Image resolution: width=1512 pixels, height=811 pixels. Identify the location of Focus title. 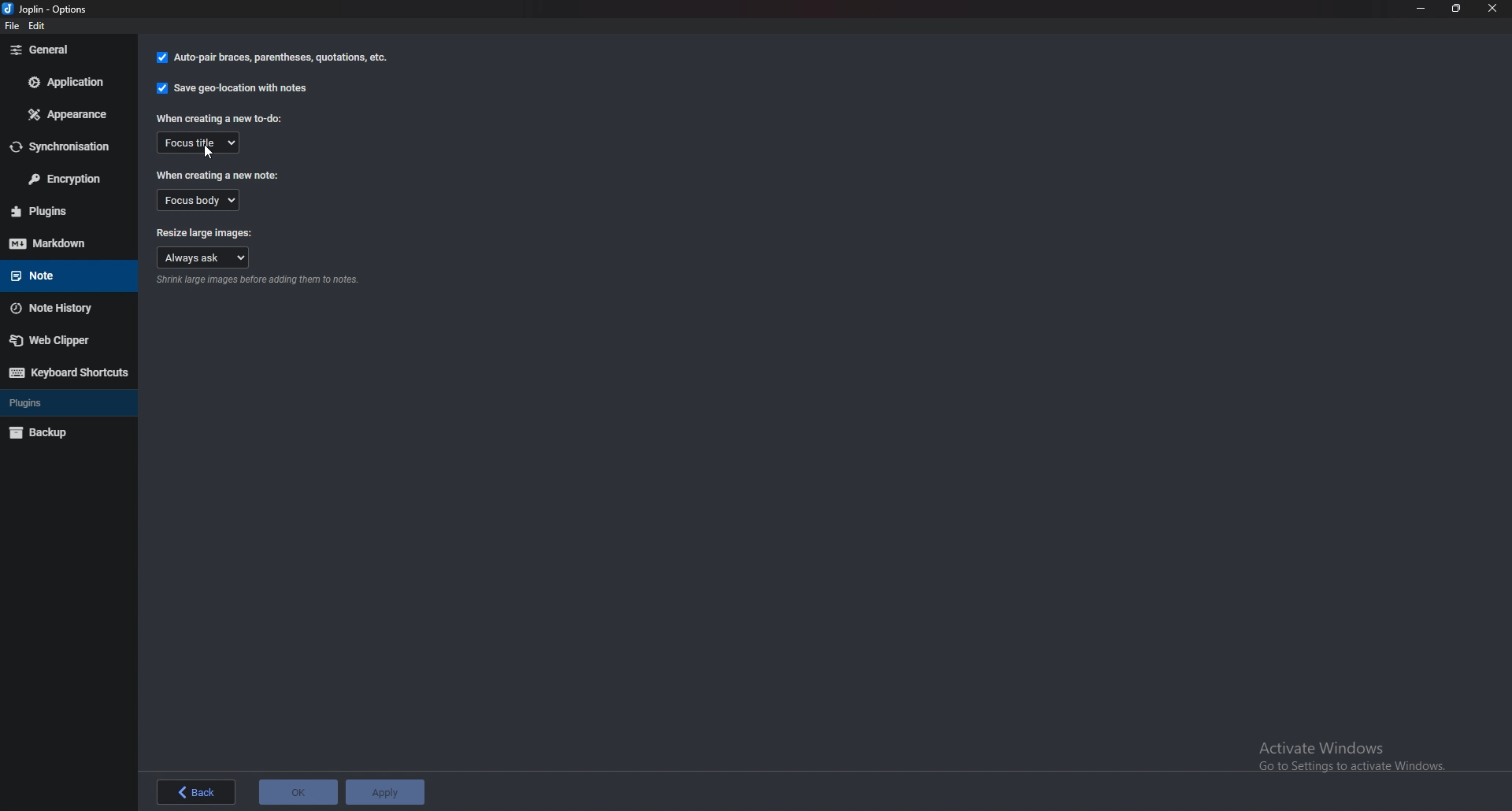
(199, 142).